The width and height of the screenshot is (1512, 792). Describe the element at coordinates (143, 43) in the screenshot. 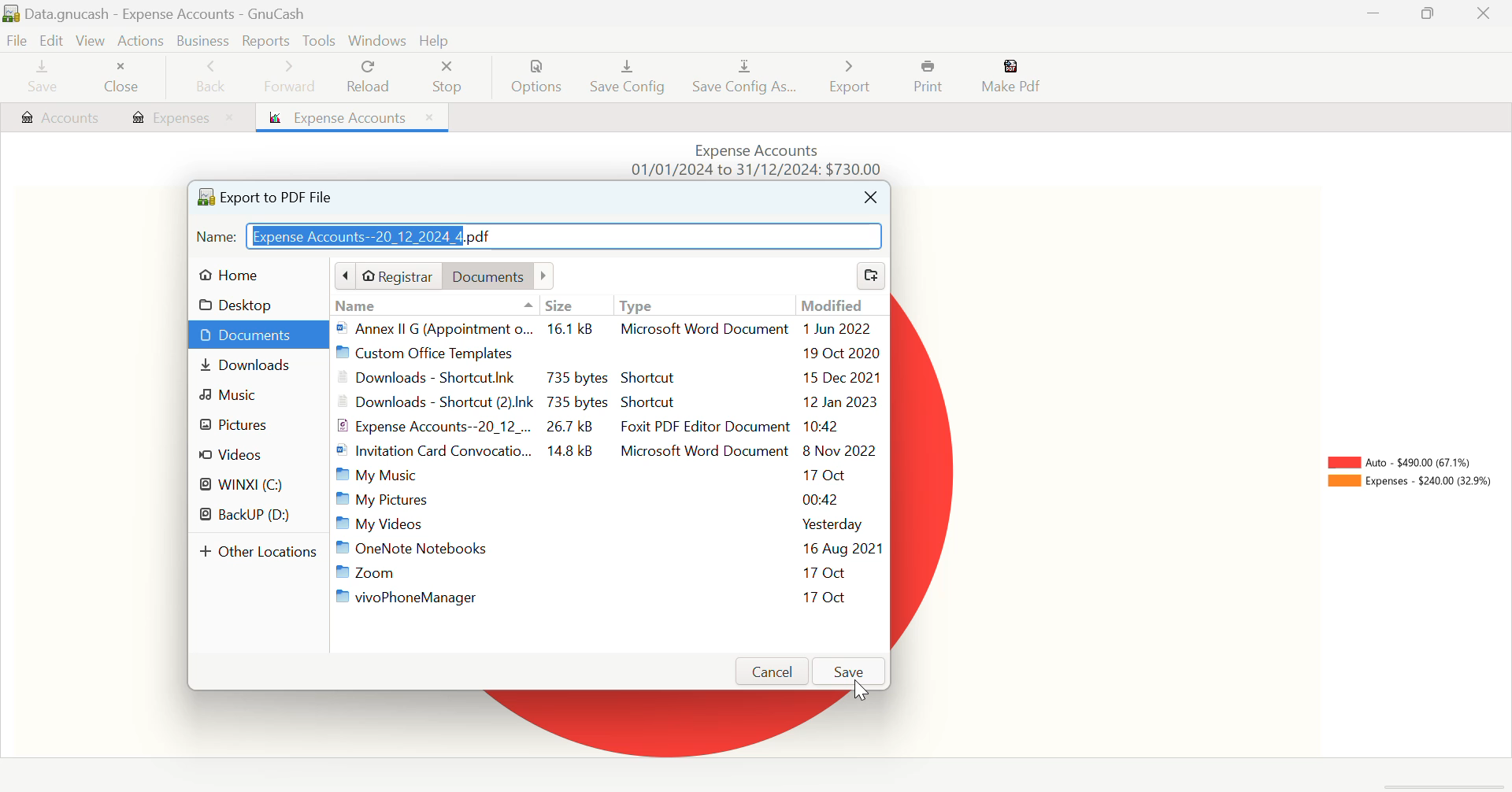

I see `Actions` at that location.